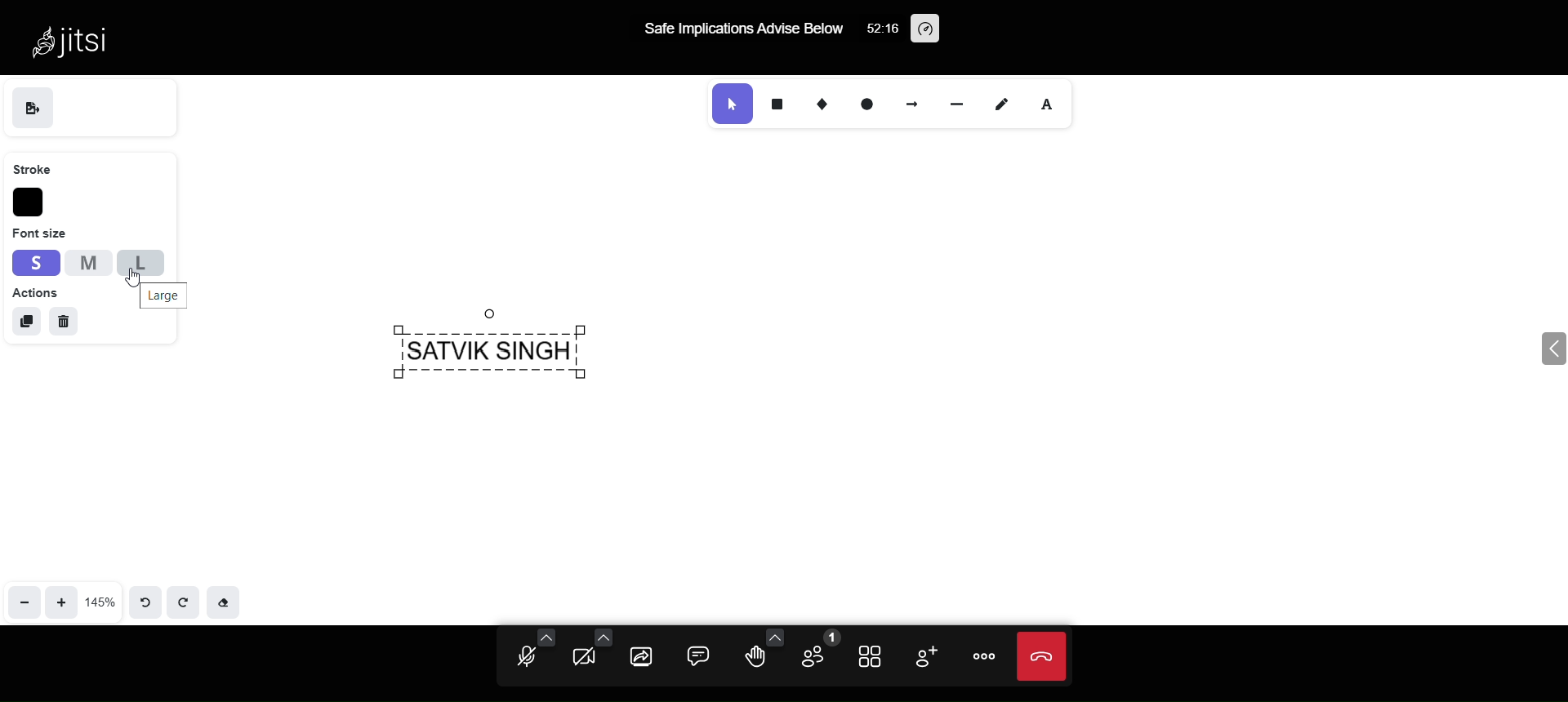 The height and width of the screenshot is (702, 1568). Describe the element at coordinates (923, 655) in the screenshot. I see `invite people` at that location.